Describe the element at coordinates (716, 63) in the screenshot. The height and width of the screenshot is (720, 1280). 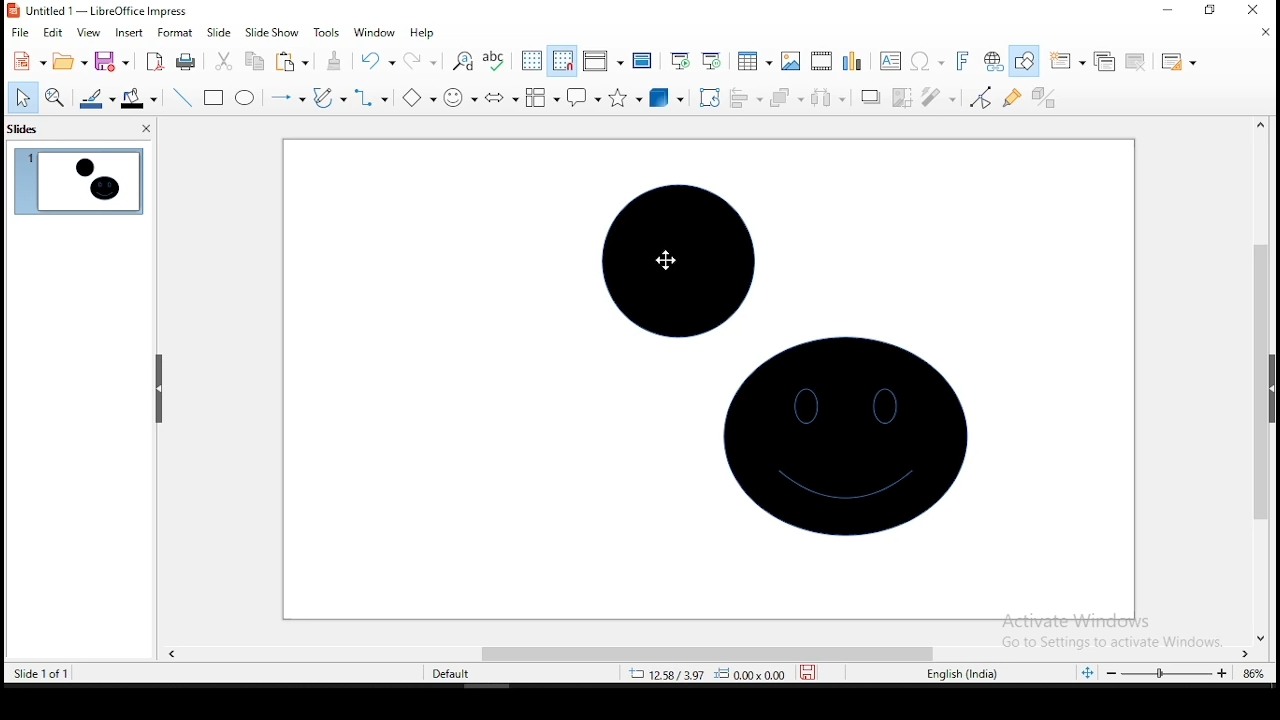
I see `start from current slide` at that location.